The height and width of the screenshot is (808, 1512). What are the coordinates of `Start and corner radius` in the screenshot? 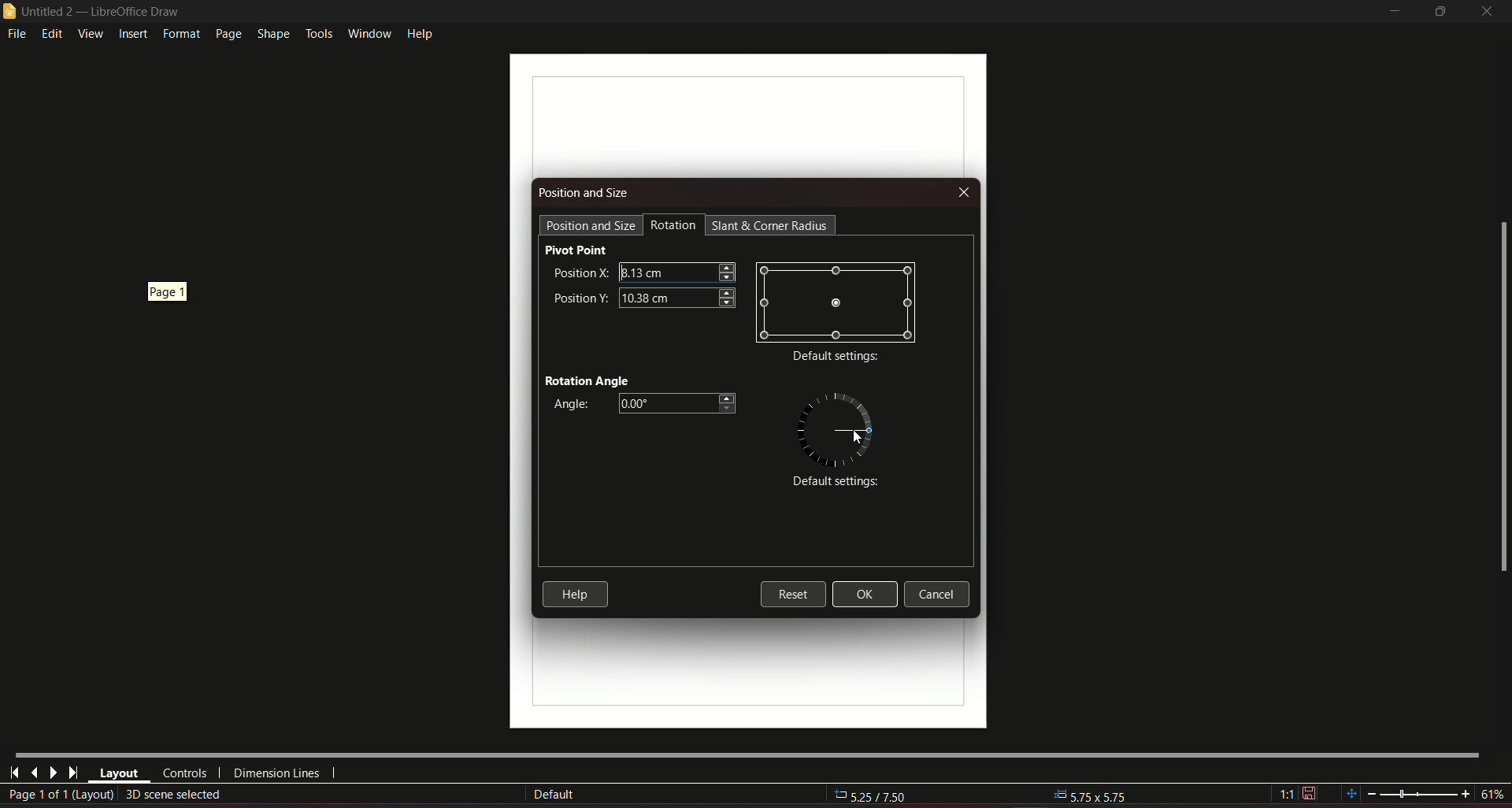 It's located at (772, 225).